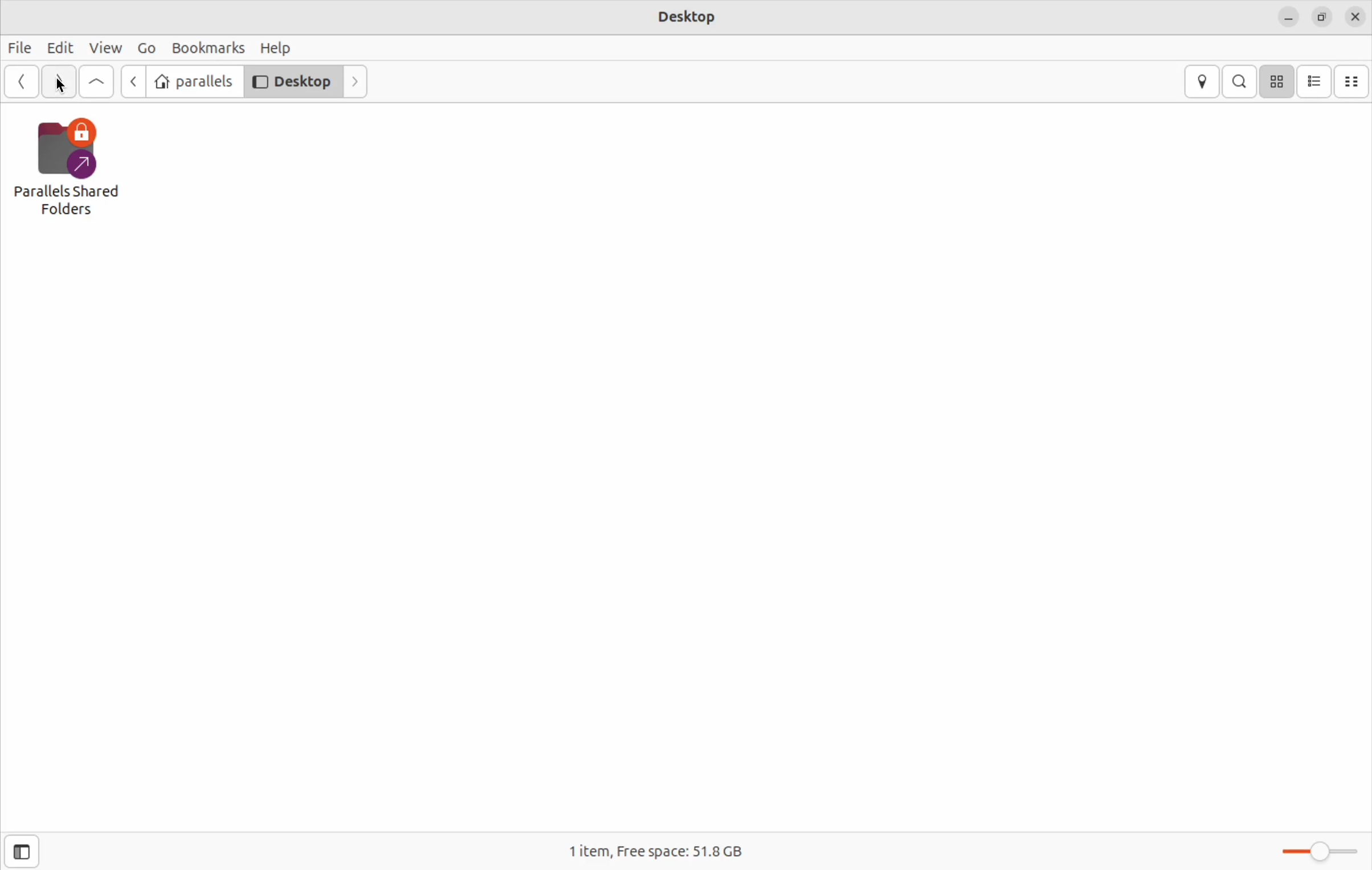 This screenshot has width=1372, height=870. Describe the element at coordinates (1201, 81) in the screenshot. I see `location entry` at that location.